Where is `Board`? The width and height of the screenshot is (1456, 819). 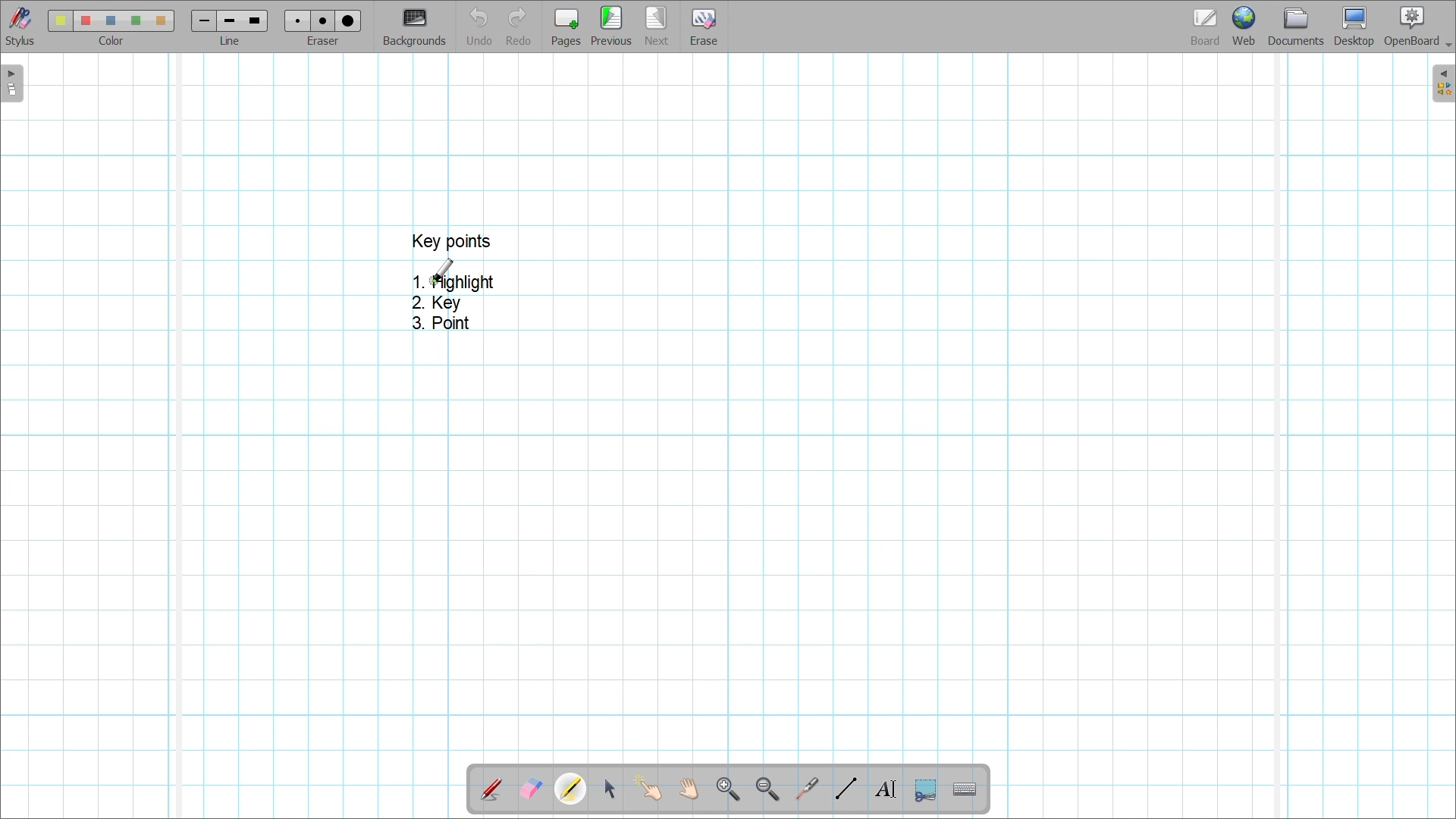
Board is located at coordinates (1206, 27).